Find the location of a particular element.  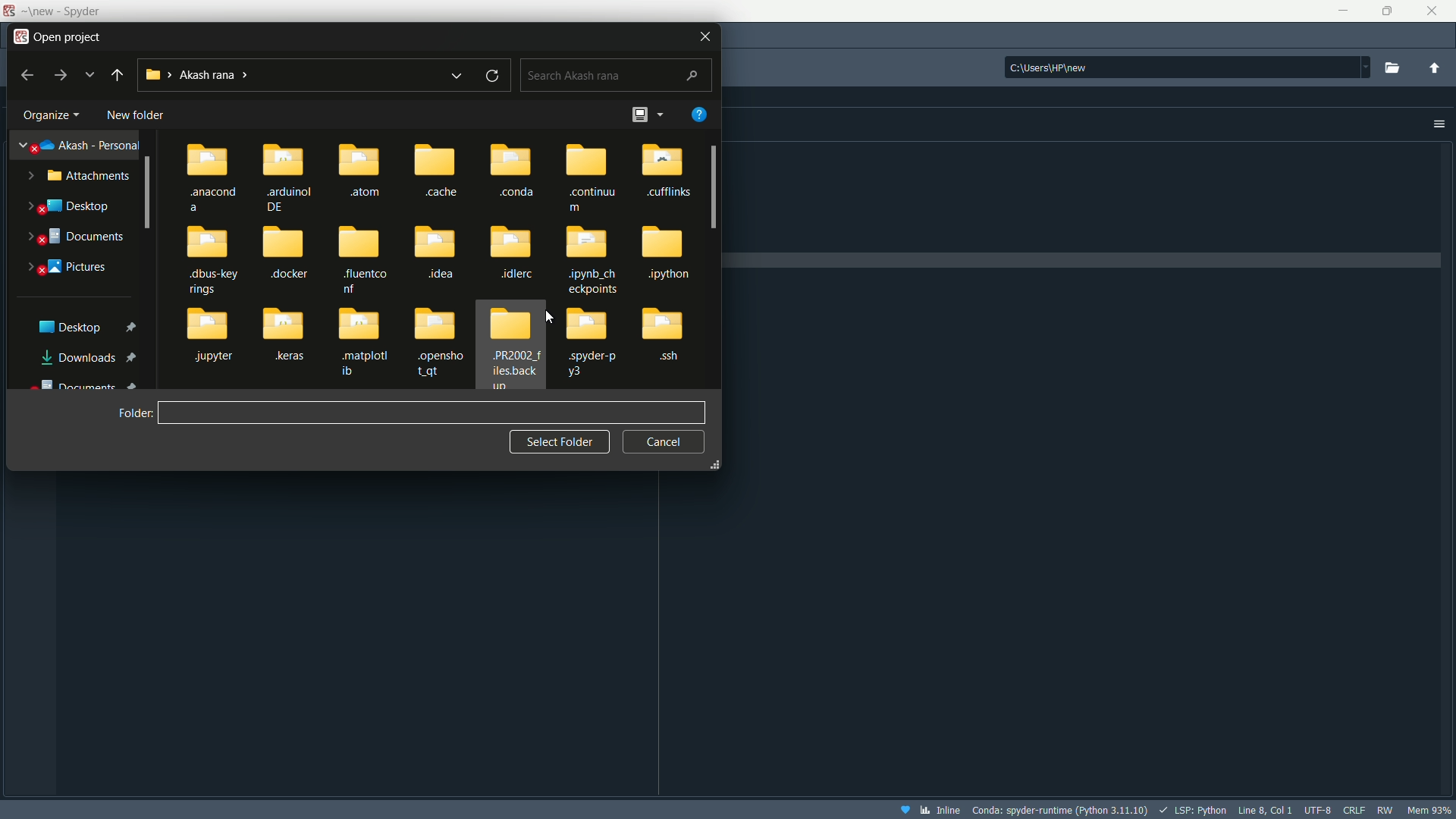

akash personal is located at coordinates (81, 143).